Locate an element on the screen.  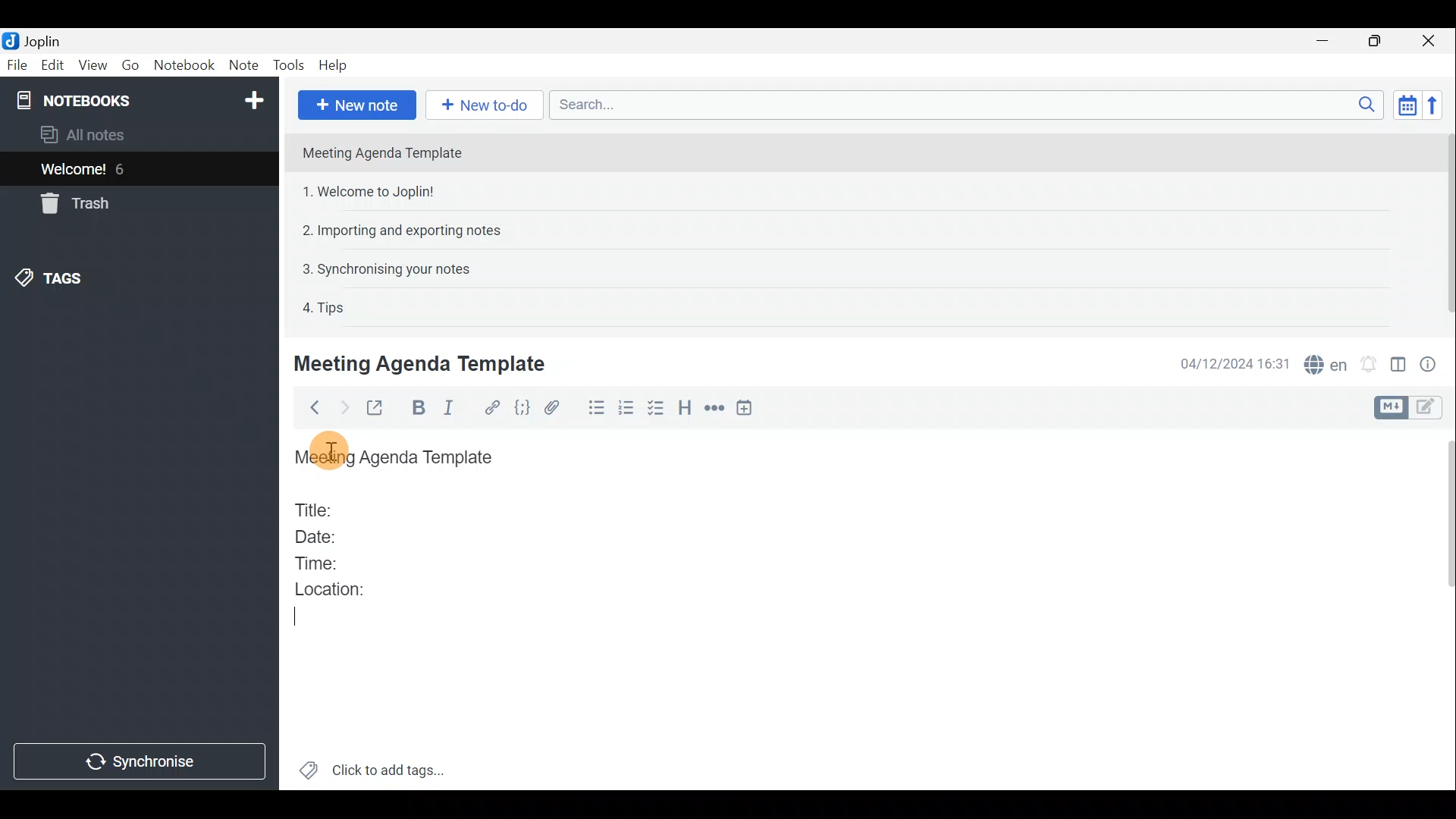
Maximise is located at coordinates (1376, 42).